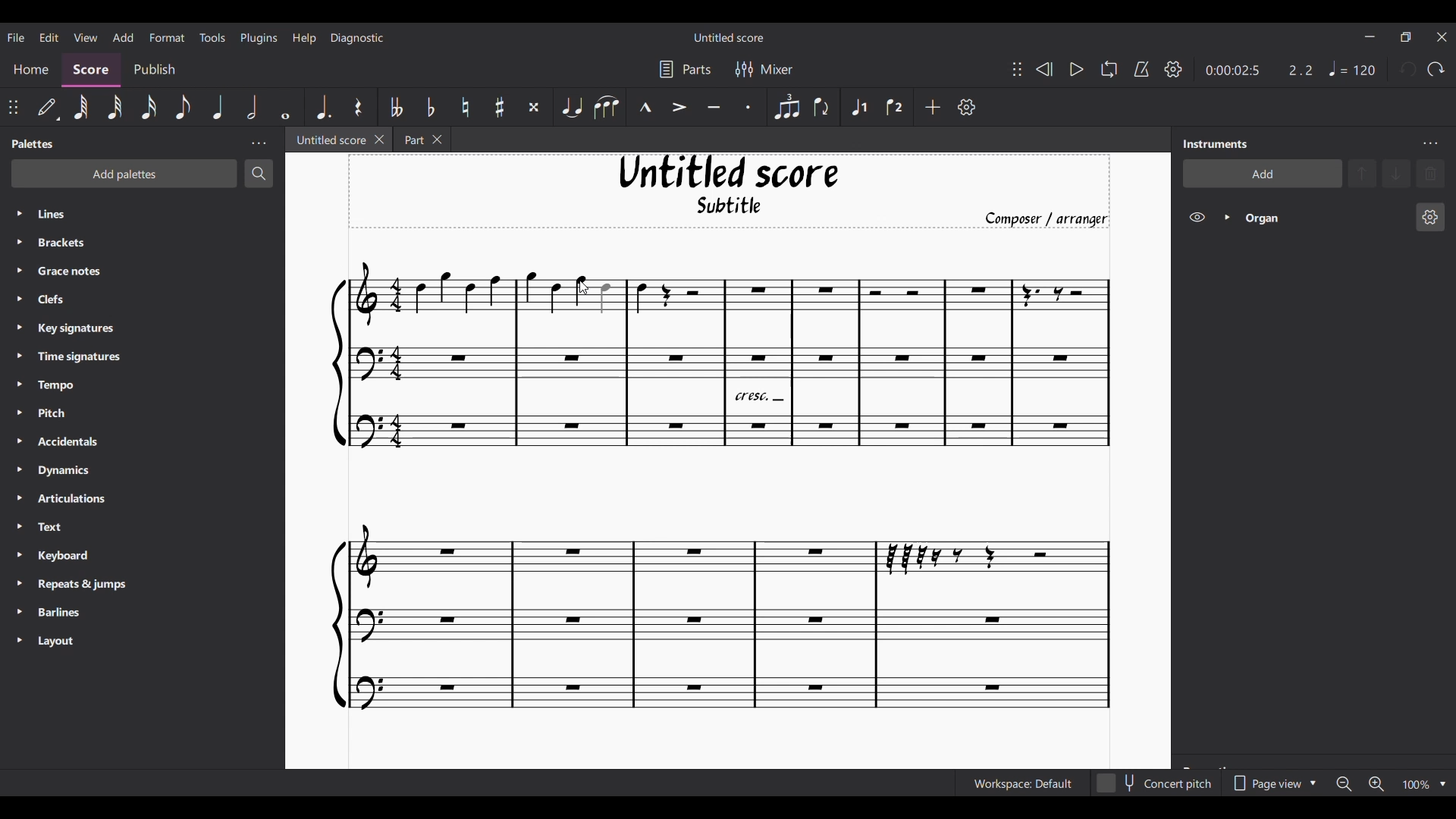  I want to click on Edit menu, so click(49, 36).